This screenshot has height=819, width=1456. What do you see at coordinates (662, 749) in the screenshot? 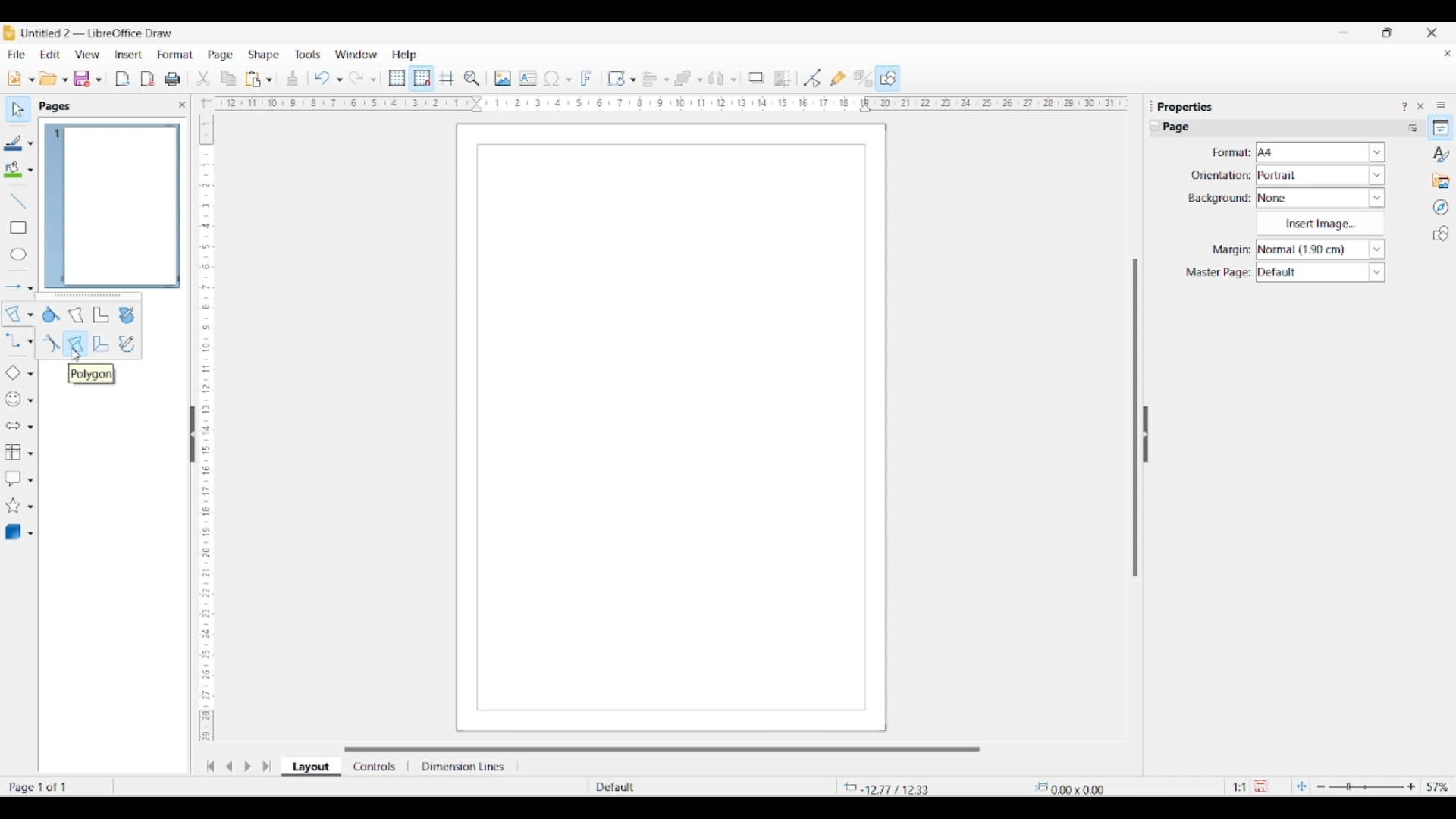
I see `Horizontal slide bar` at bounding box center [662, 749].